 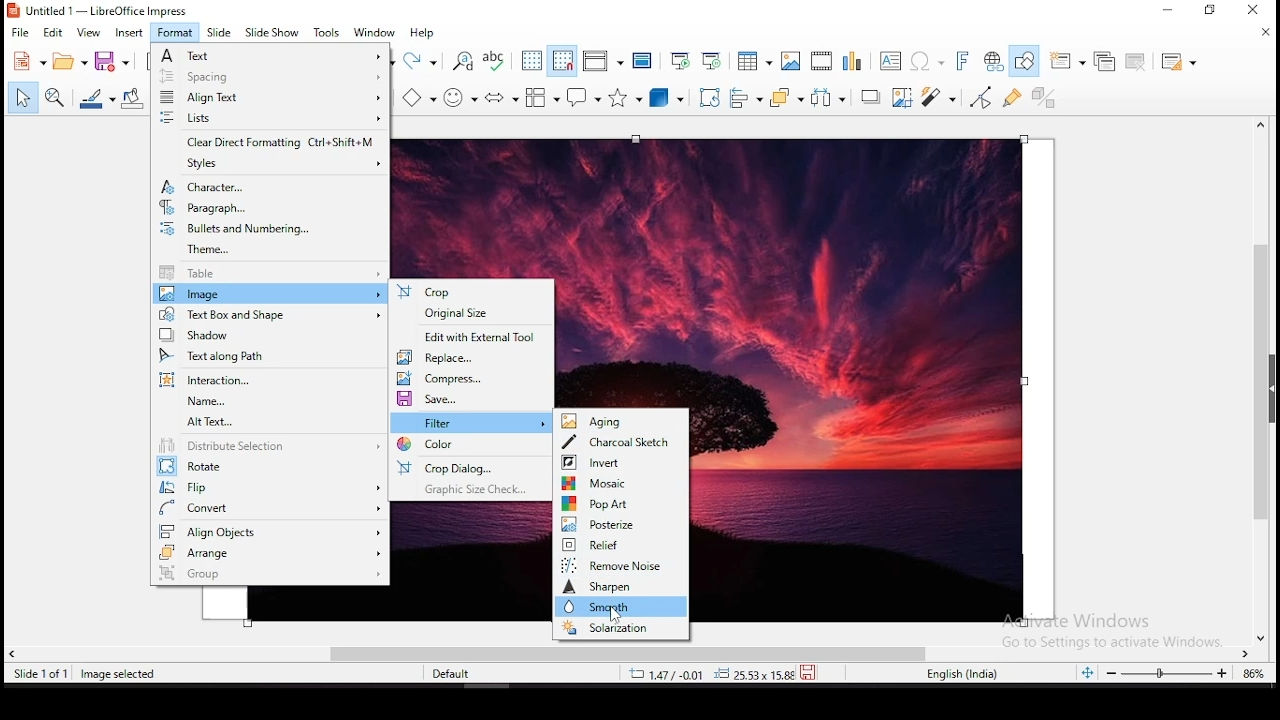 I want to click on start from first slide, so click(x=680, y=59).